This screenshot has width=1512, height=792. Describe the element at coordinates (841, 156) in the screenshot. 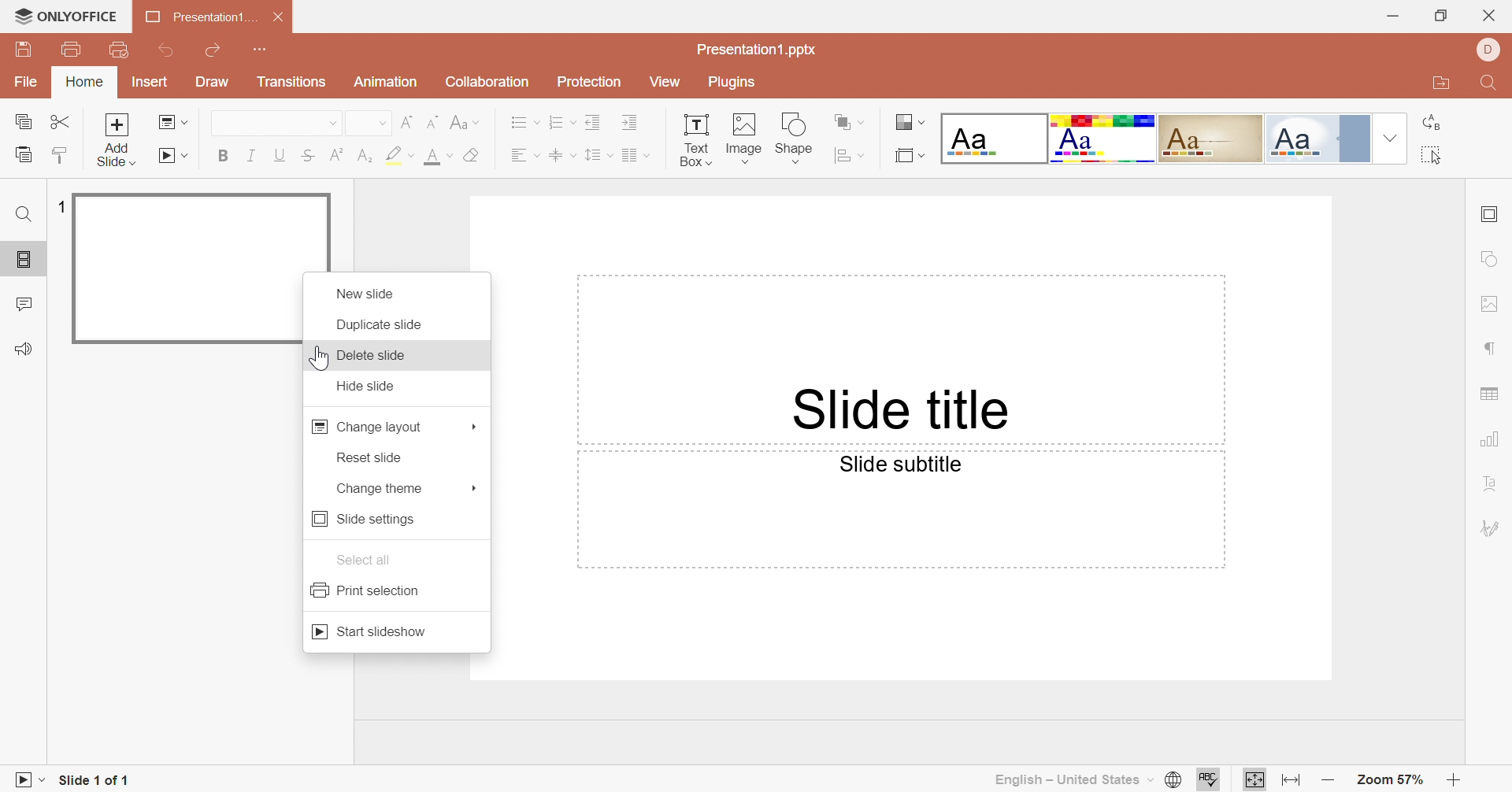

I see `Align shape` at that location.